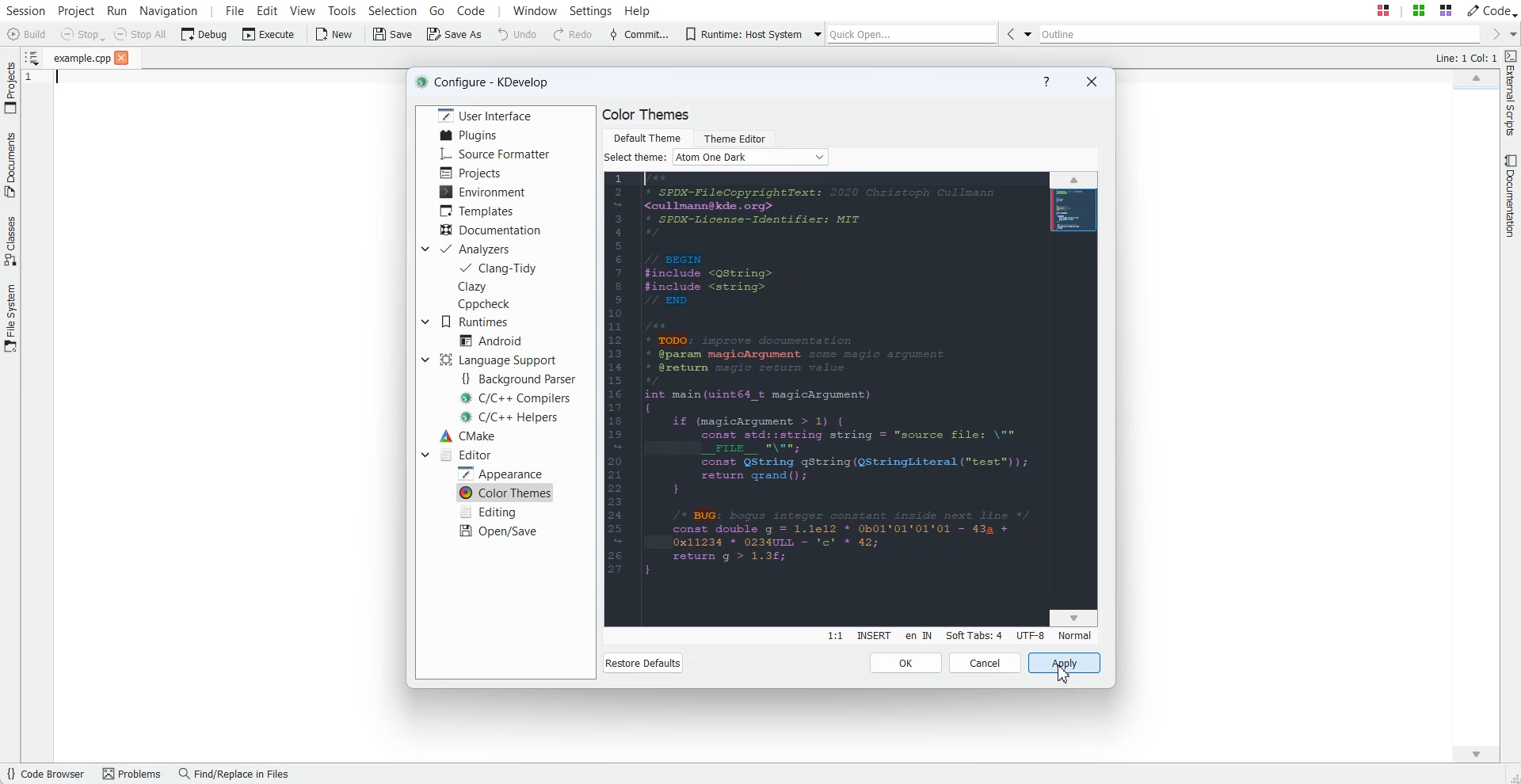 This screenshot has height=784, width=1521. I want to click on close, so click(122, 59).